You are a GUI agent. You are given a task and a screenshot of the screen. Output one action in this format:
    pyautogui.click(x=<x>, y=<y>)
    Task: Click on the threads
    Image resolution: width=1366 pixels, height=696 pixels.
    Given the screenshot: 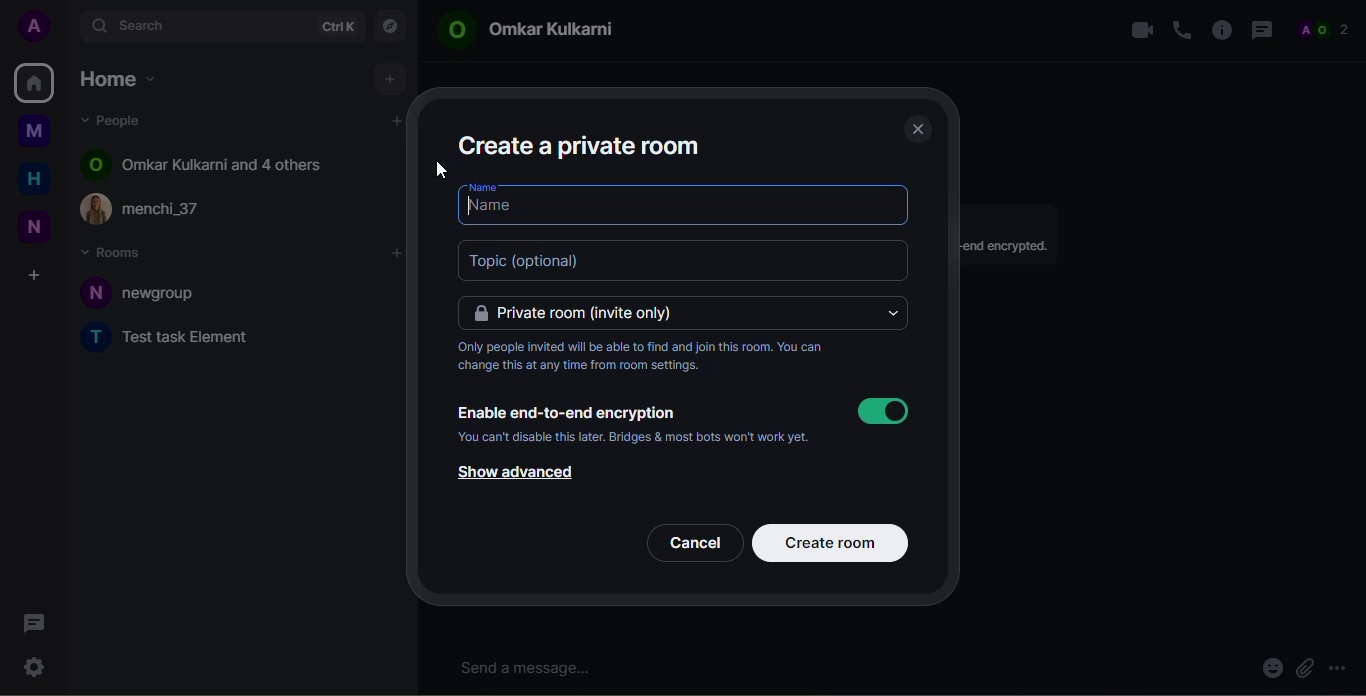 What is the action you would take?
    pyautogui.click(x=33, y=623)
    